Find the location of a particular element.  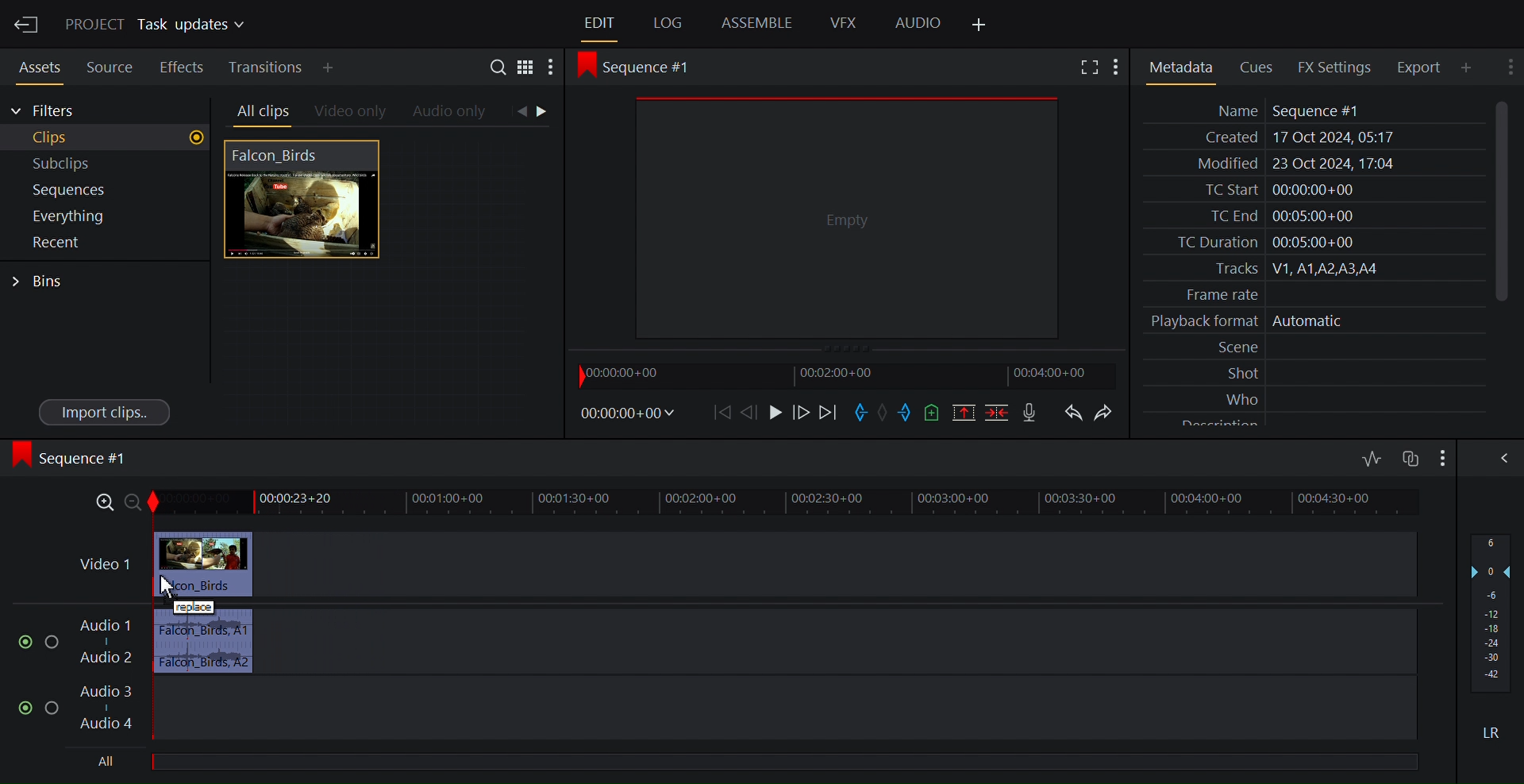

Delete/cut is located at coordinates (999, 413).